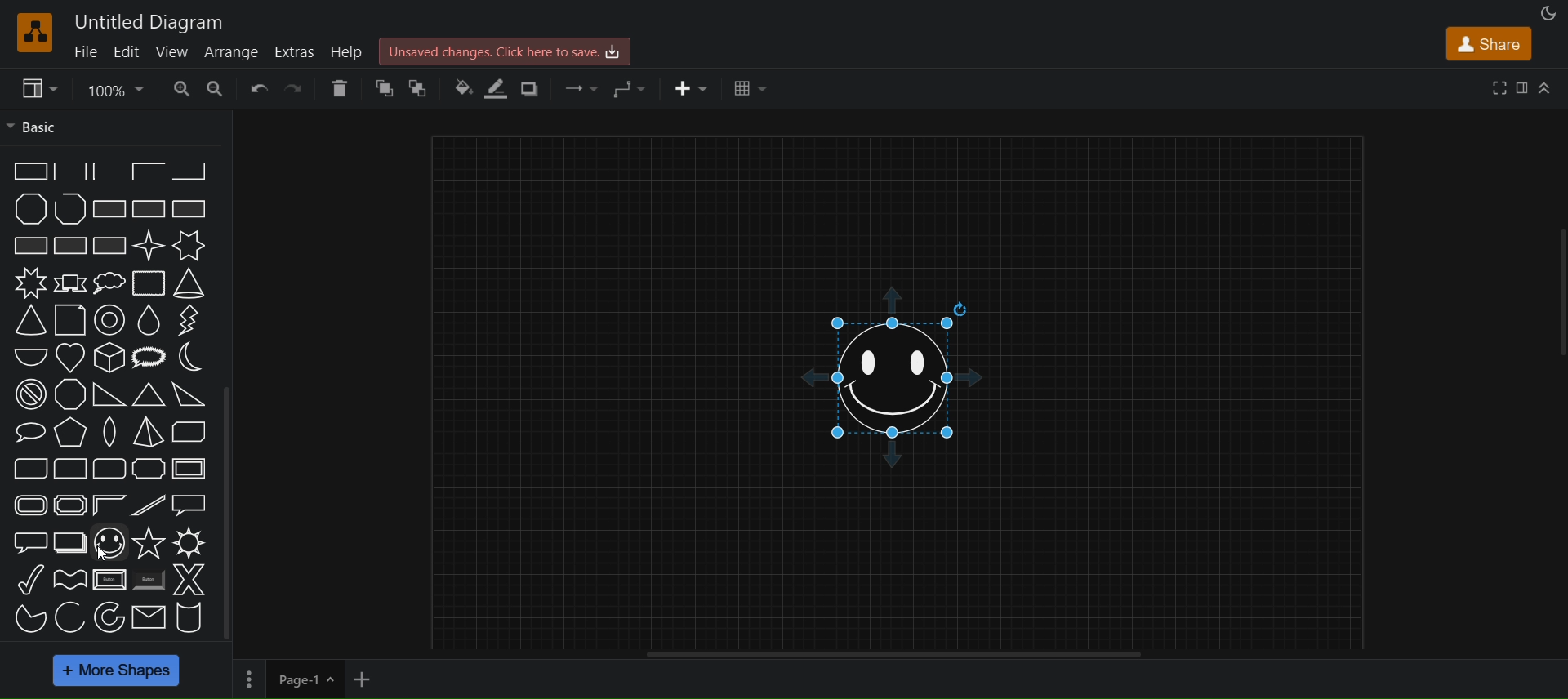 The height and width of the screenshot is (699, 1568). Describe the element at coordinates (112, 283) in the screenshot. I see `cloud callout` at that location.